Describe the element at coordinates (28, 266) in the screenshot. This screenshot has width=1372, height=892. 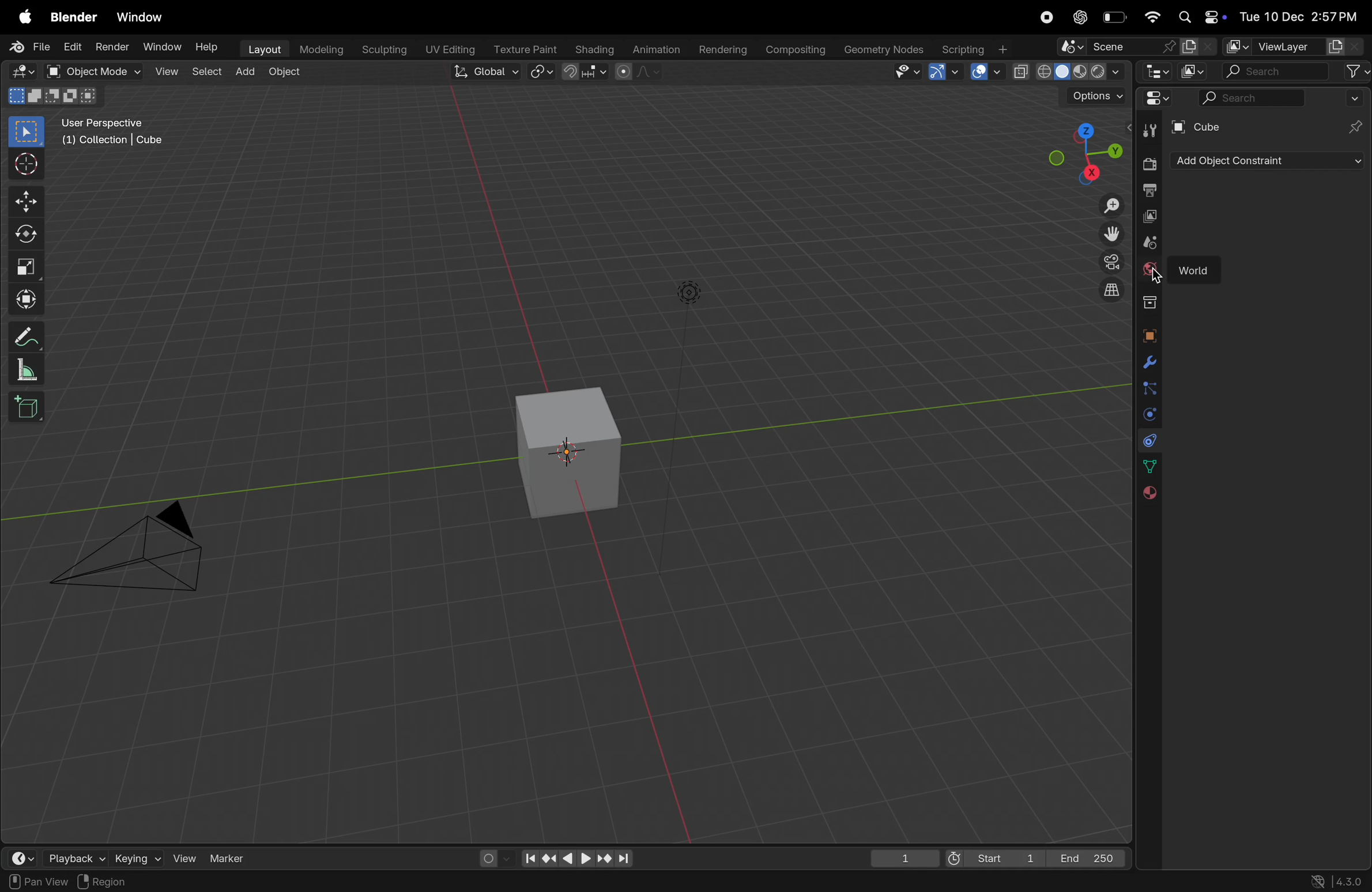
I see `scale` at that location.